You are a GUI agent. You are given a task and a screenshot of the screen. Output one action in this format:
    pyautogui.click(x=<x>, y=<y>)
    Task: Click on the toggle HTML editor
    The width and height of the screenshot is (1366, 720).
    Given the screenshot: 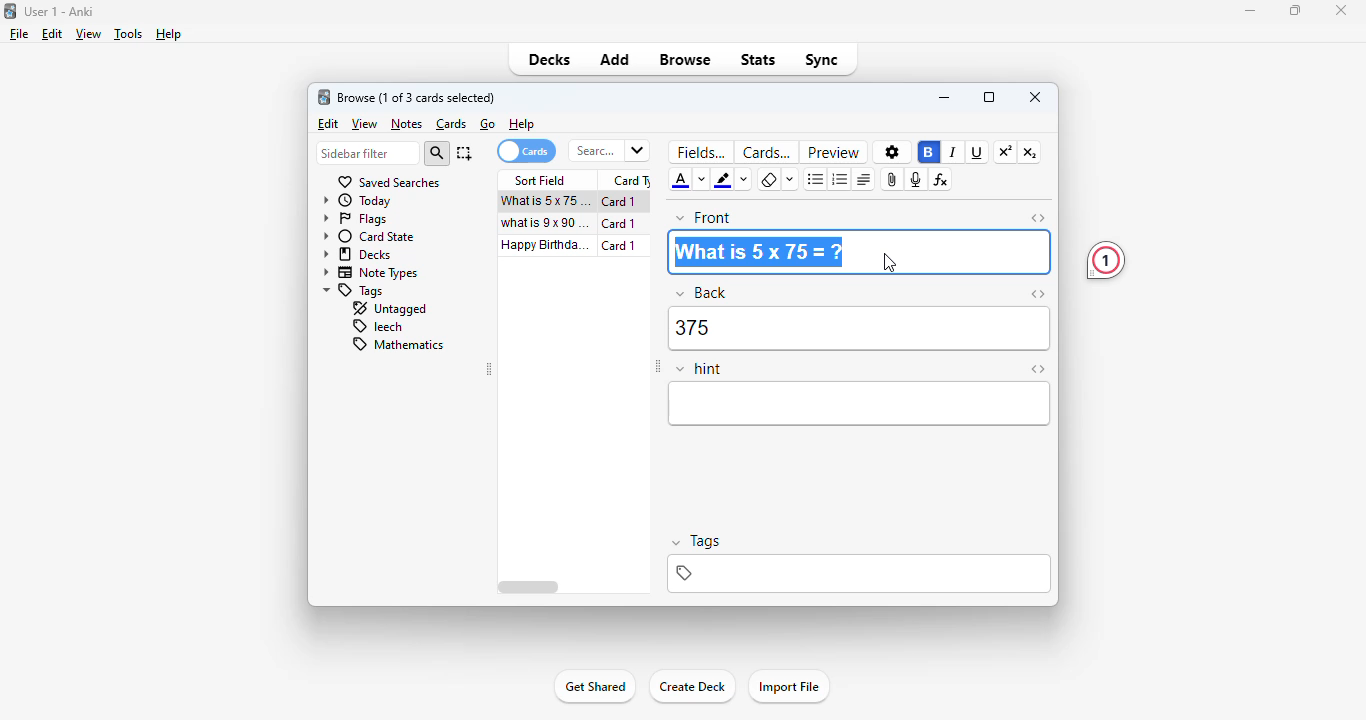 What is the action you would take?
    pyautogui.click(x=1037, y=295)
    